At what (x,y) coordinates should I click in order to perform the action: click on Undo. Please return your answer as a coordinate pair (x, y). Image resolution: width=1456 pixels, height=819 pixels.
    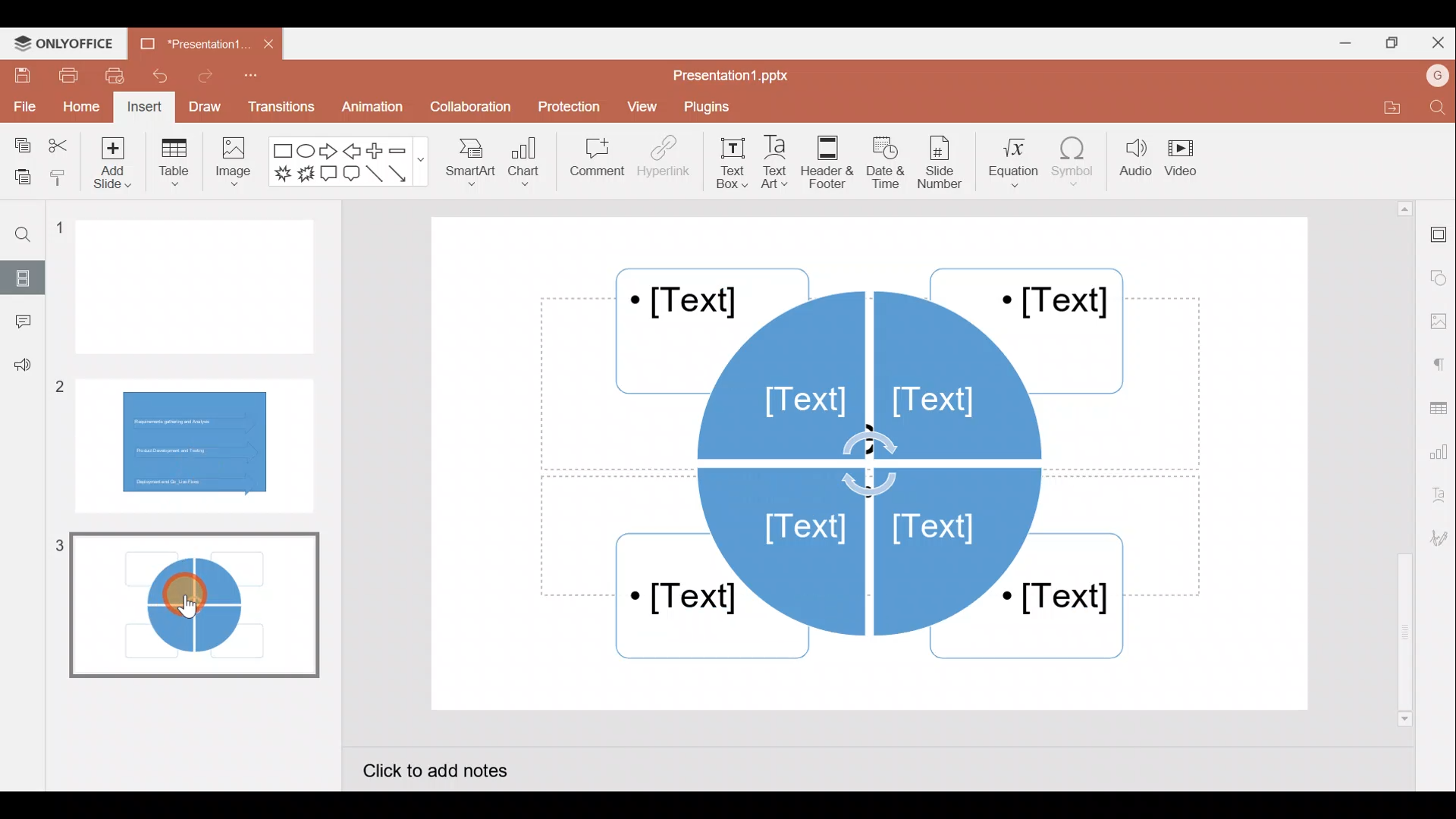
    Looking at the image, I should click on (158, 77).